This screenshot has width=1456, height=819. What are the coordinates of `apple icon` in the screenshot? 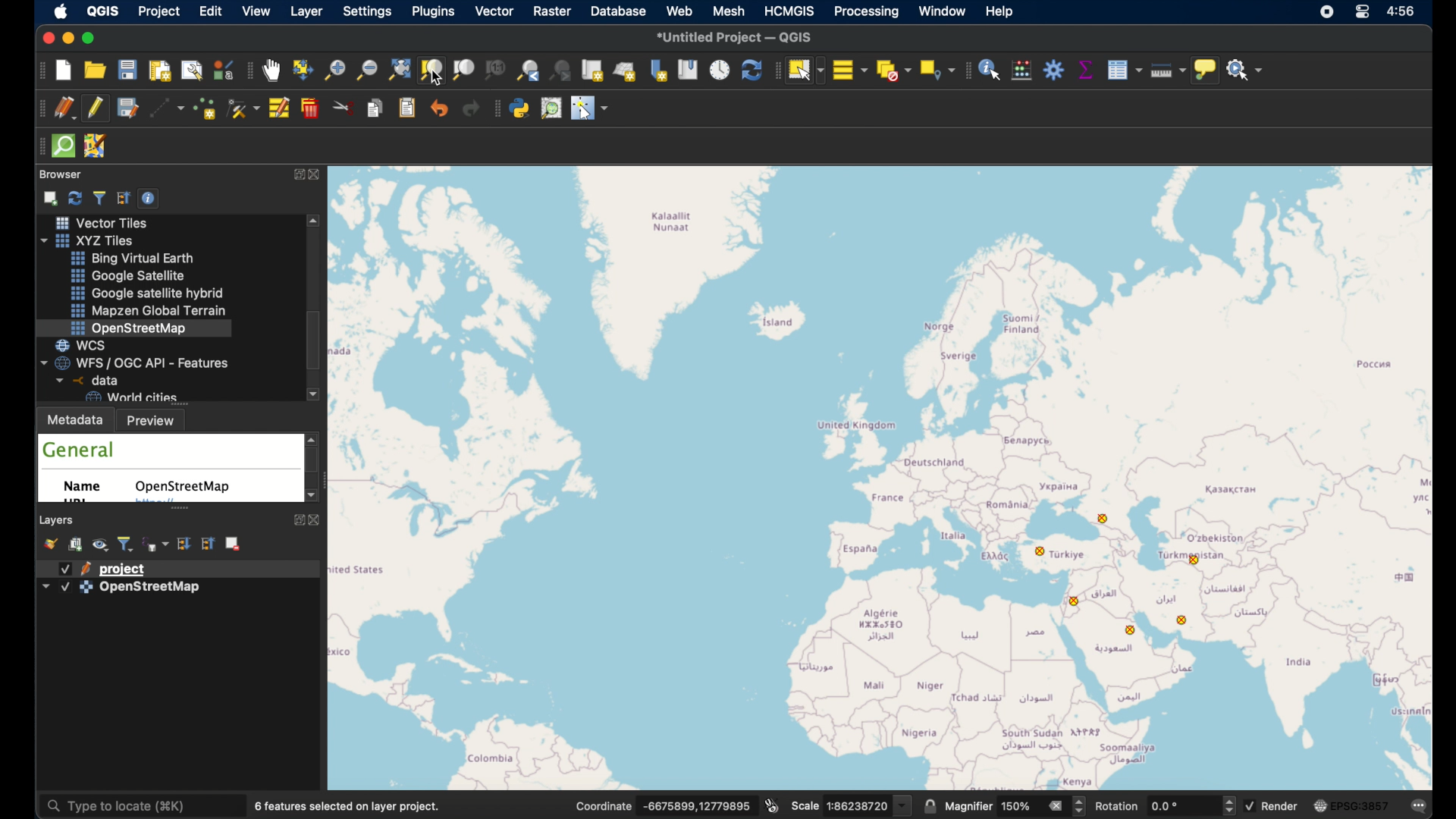 It's located at (64, 13).